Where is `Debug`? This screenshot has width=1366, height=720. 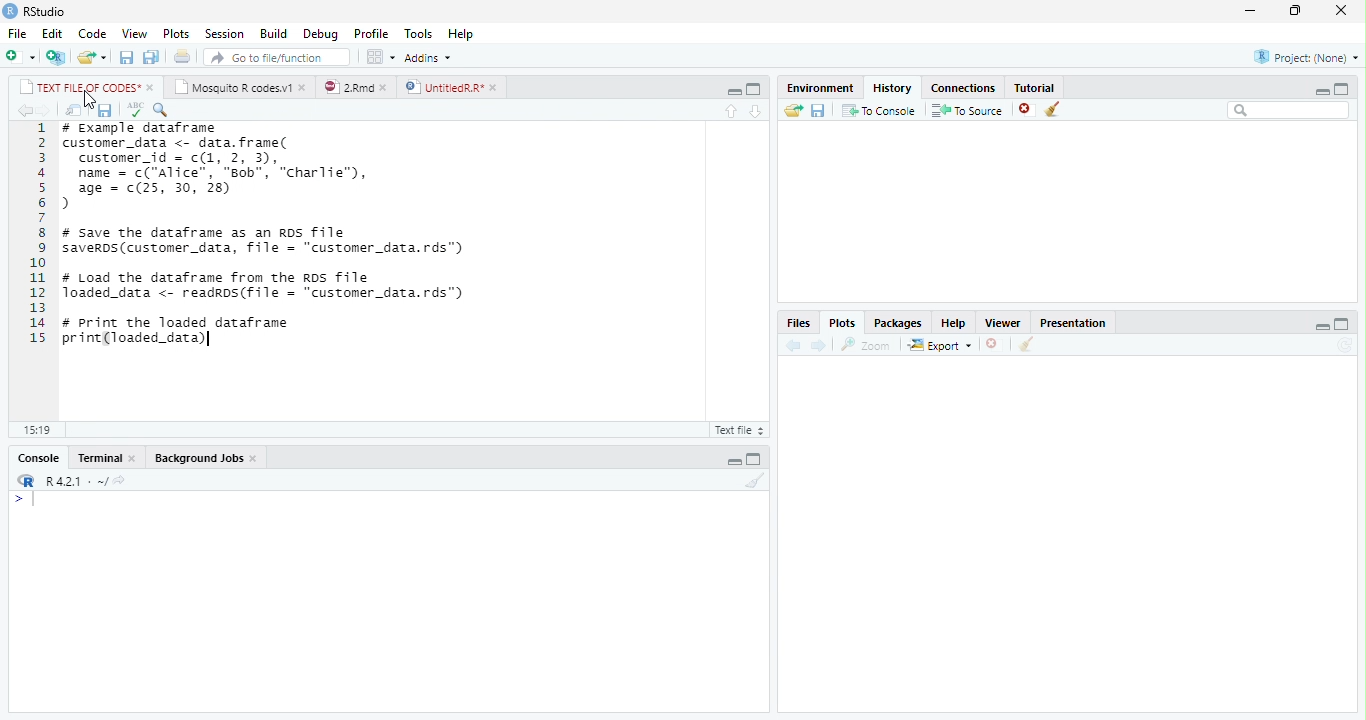
Debug is located at coordinates (321, 34).